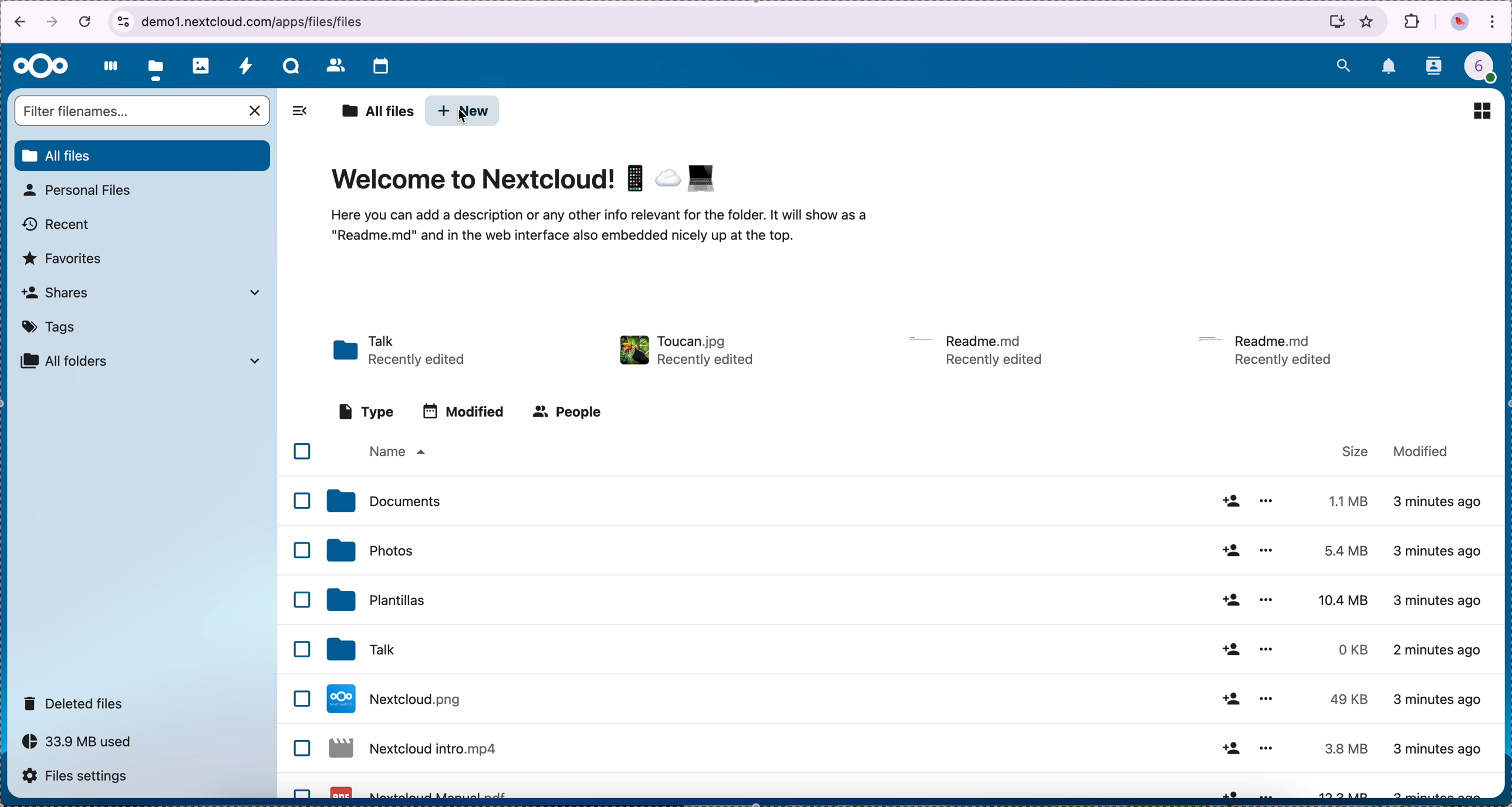 The height and width of the screenshot is (807, 1512). Describe the element at coordinates (1268, 695) in the screenshot. I see `more options` at that location.